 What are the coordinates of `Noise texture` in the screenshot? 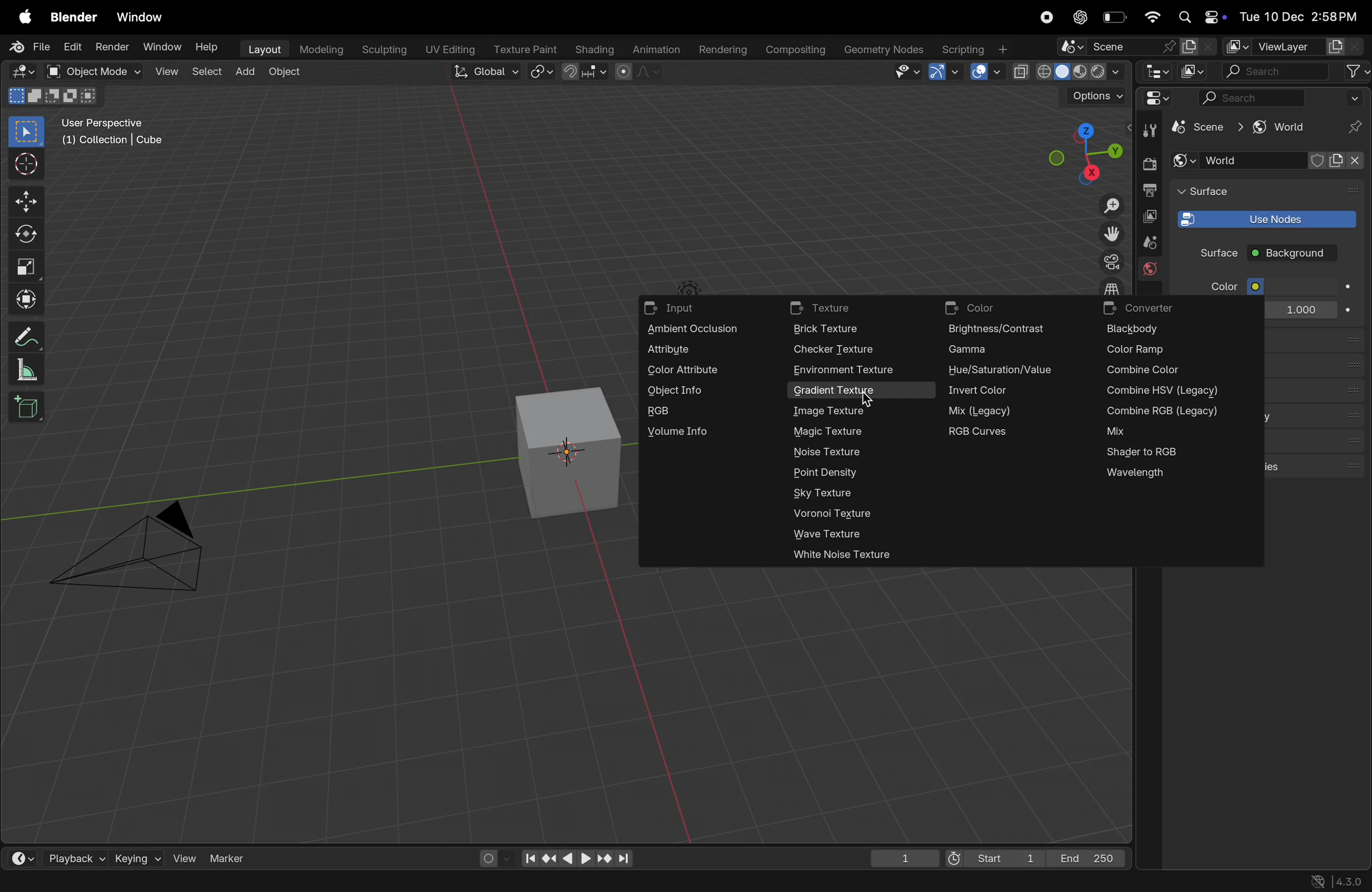 It's located at (830, 451).